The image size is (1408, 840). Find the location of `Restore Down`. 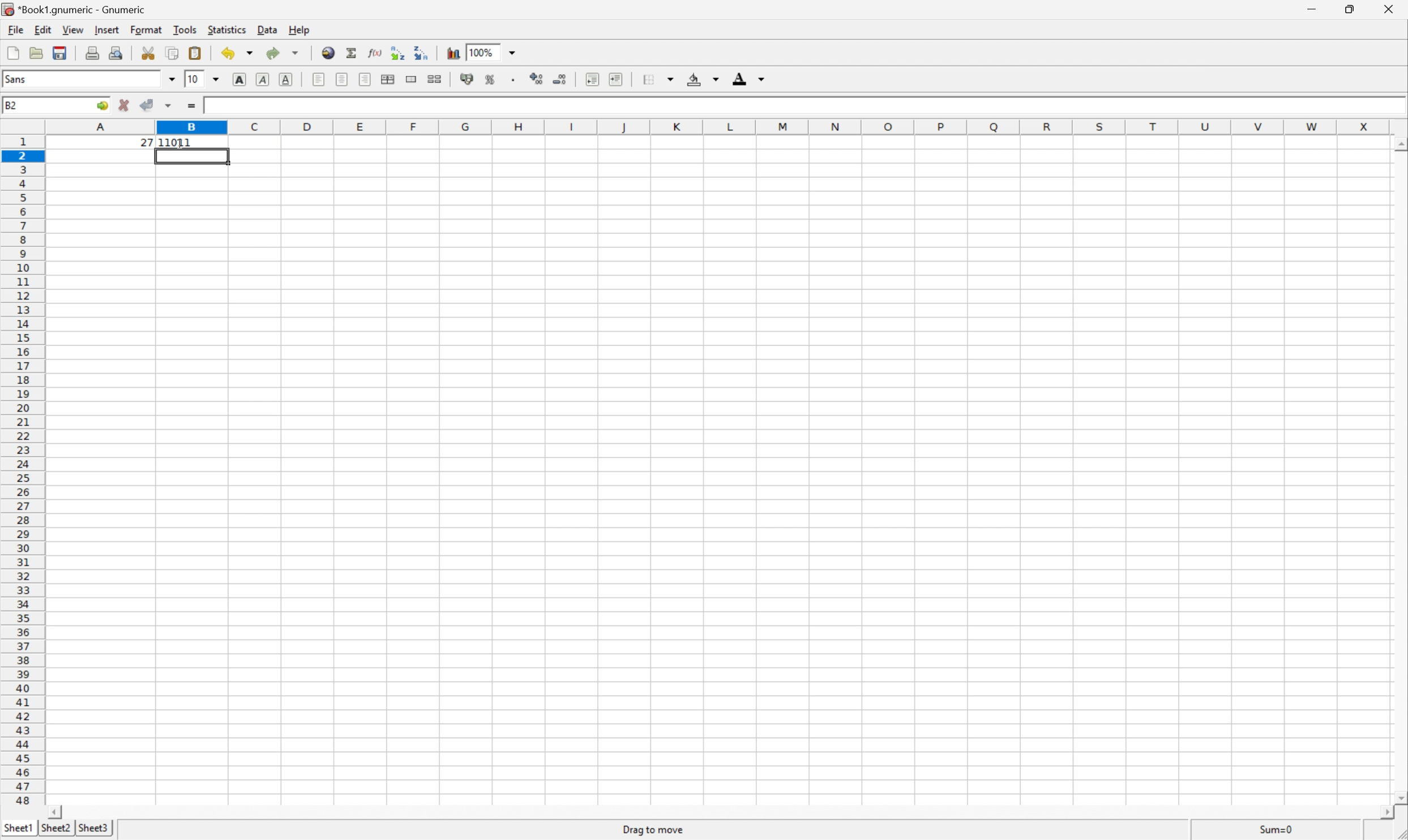

Restore Down is located at coordinates (1348, 10).